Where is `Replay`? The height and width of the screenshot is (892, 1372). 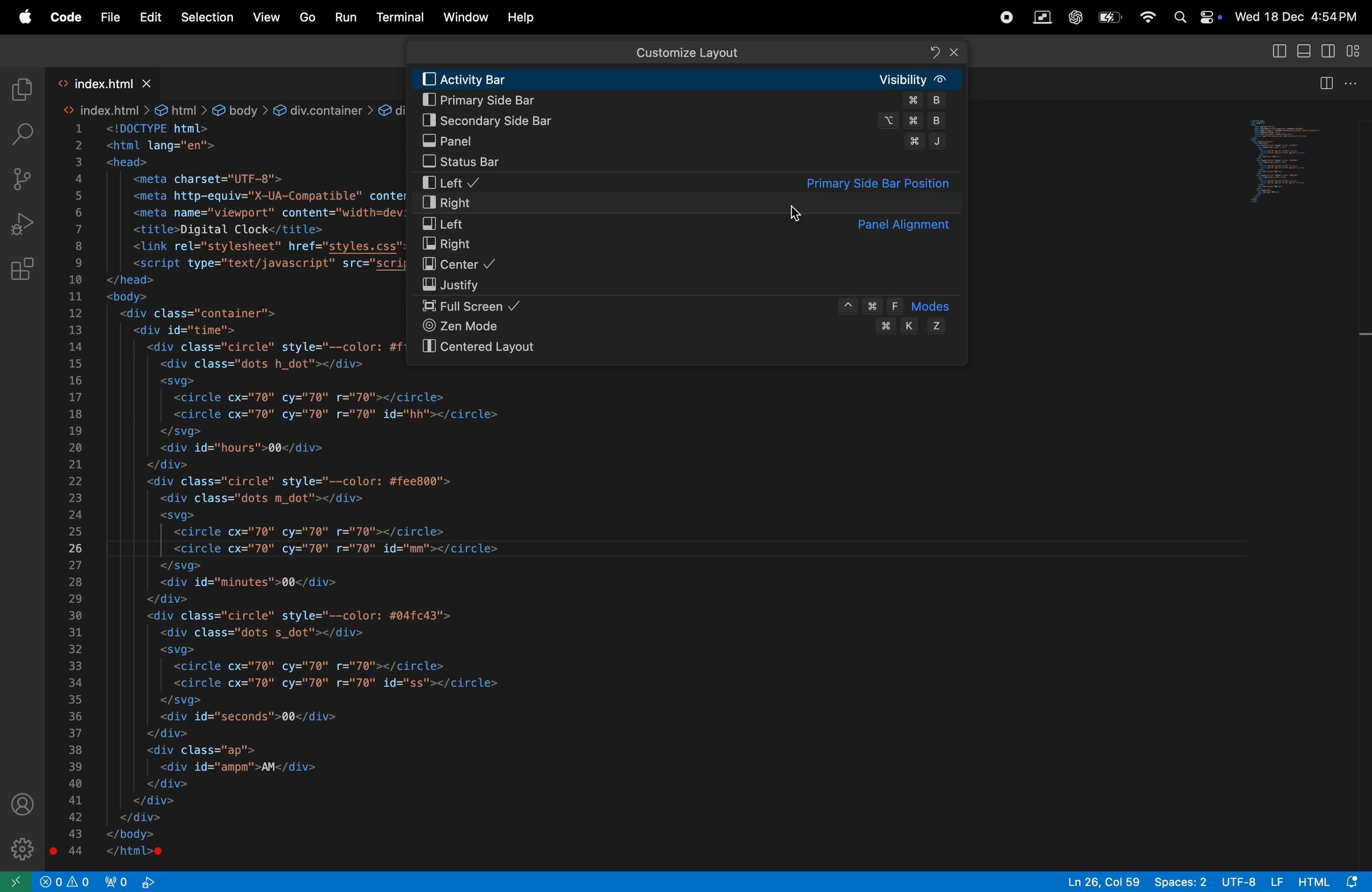 Replay is located at coordinates (934, 52).